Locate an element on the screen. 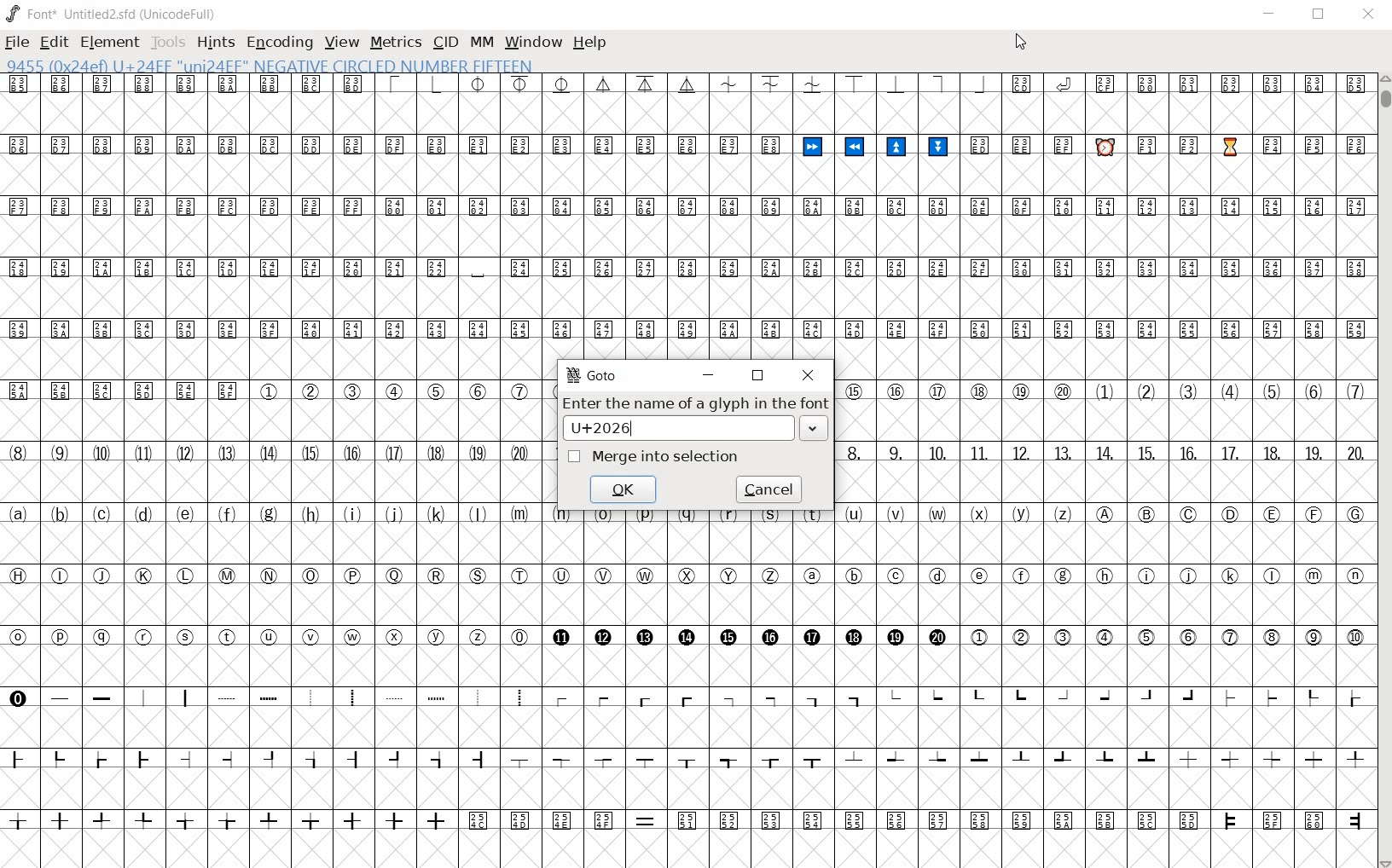  restore is located at coordinates (757, 376).